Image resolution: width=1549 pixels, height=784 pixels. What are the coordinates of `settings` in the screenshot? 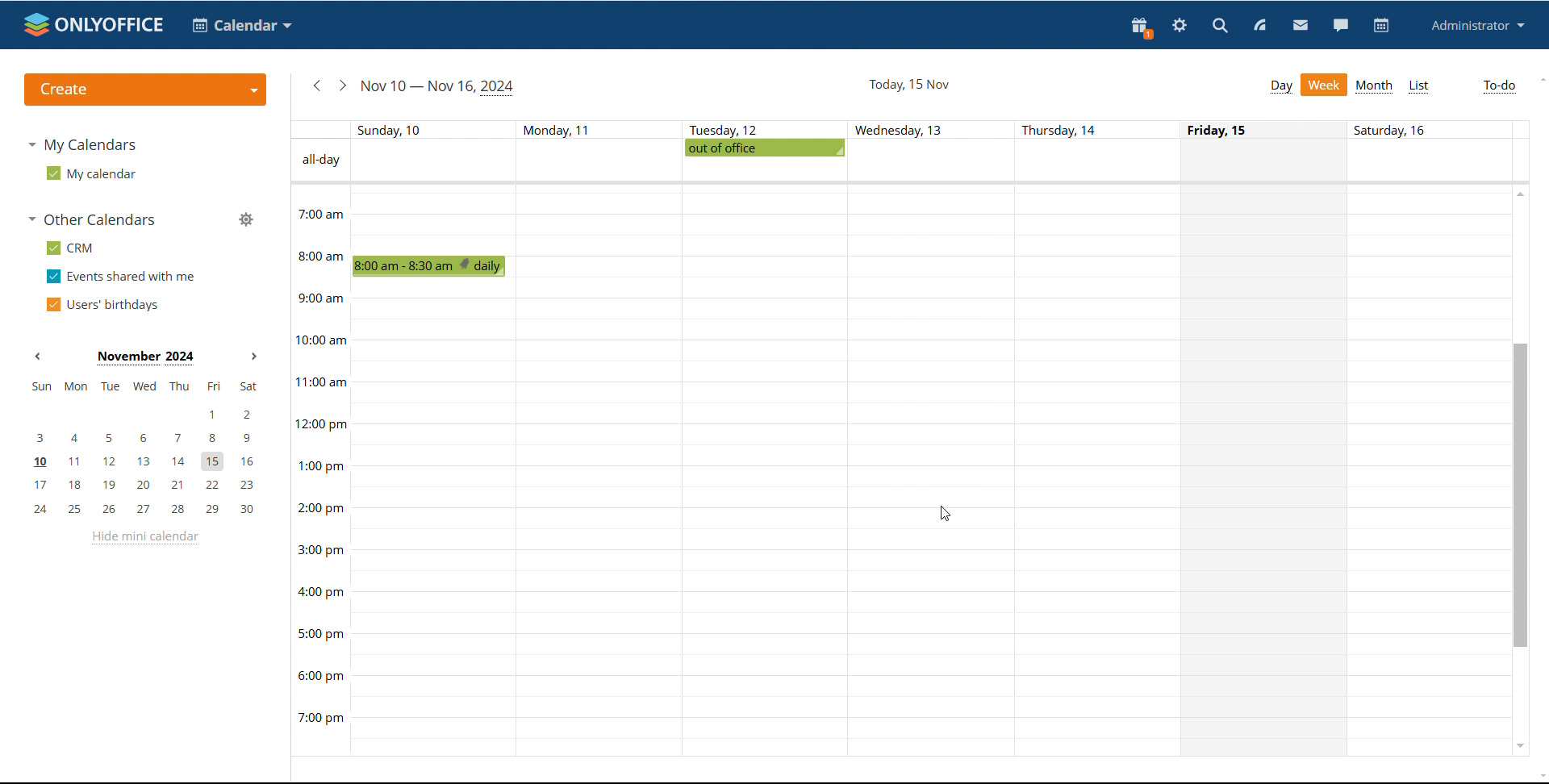 It's located at (1179, 25).